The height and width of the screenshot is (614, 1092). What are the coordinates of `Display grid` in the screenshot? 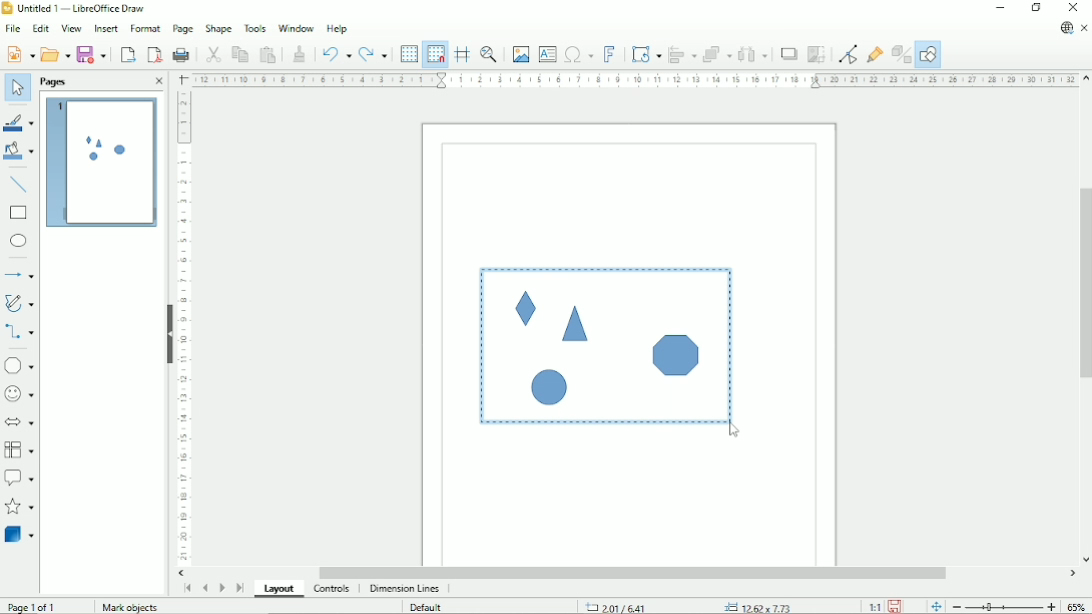 It's located at (408, 54).